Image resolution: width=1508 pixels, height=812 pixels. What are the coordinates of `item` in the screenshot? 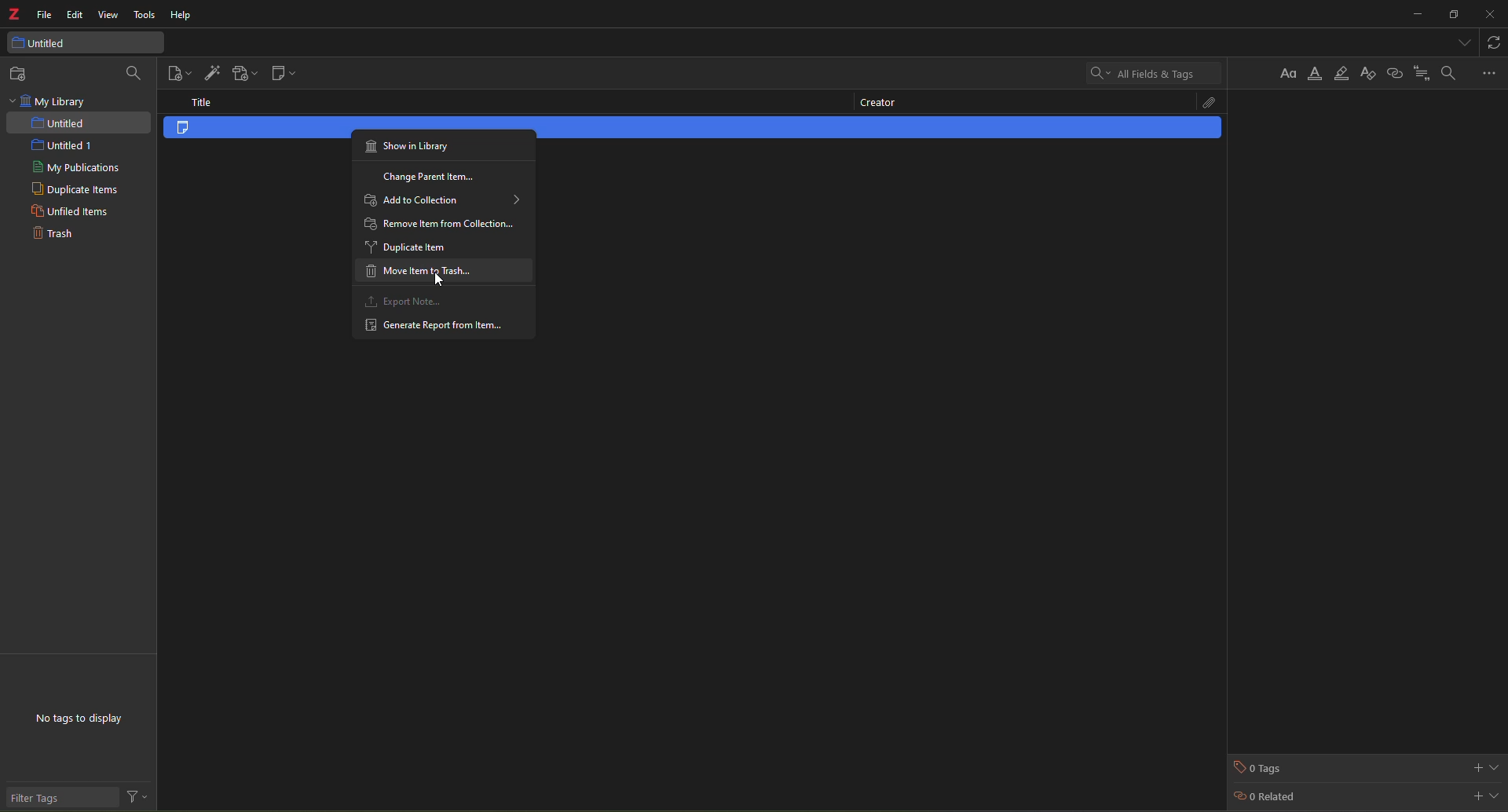 It's located at (204, 133).